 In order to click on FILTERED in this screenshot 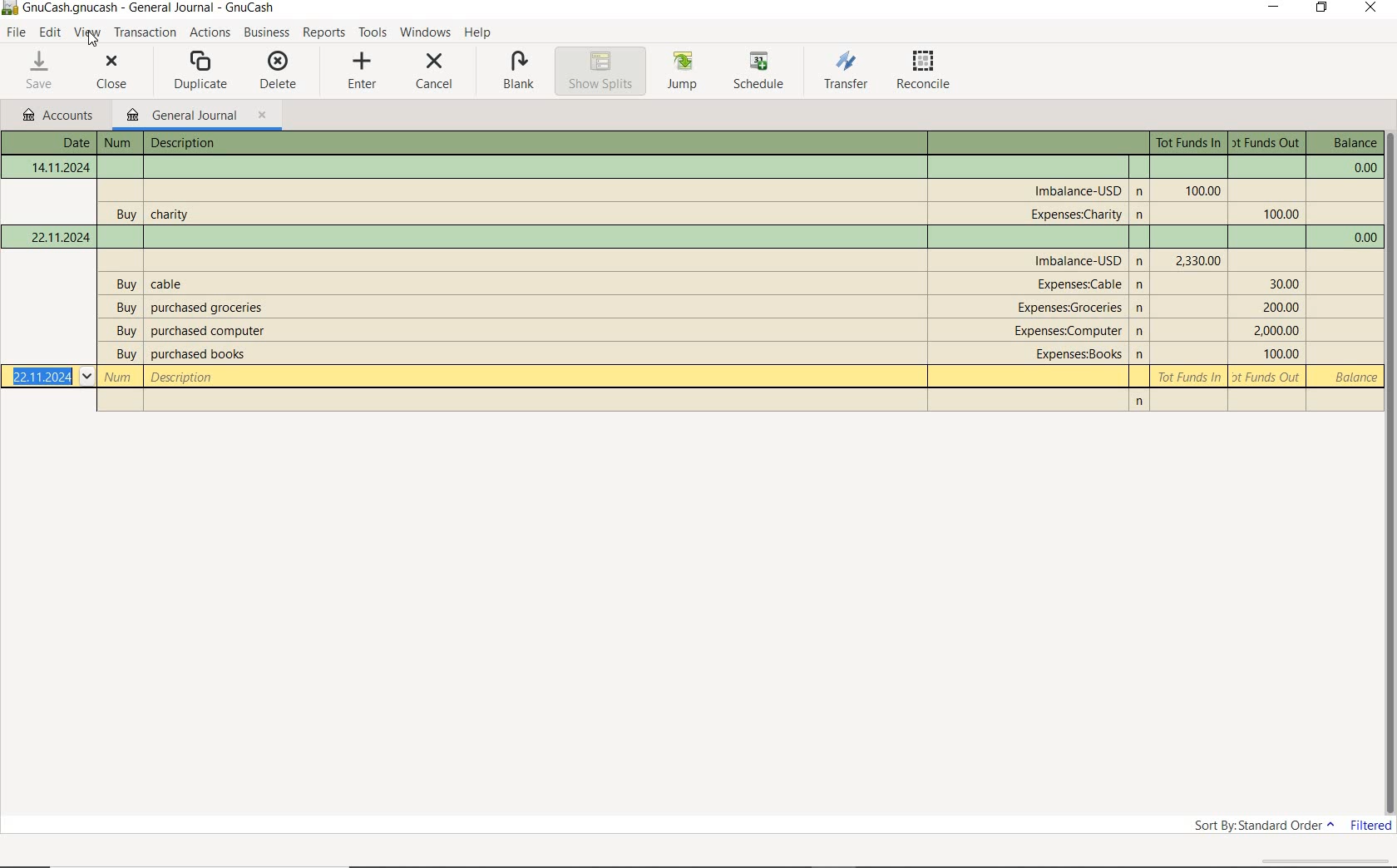, I will do `click(1369, 830)`.